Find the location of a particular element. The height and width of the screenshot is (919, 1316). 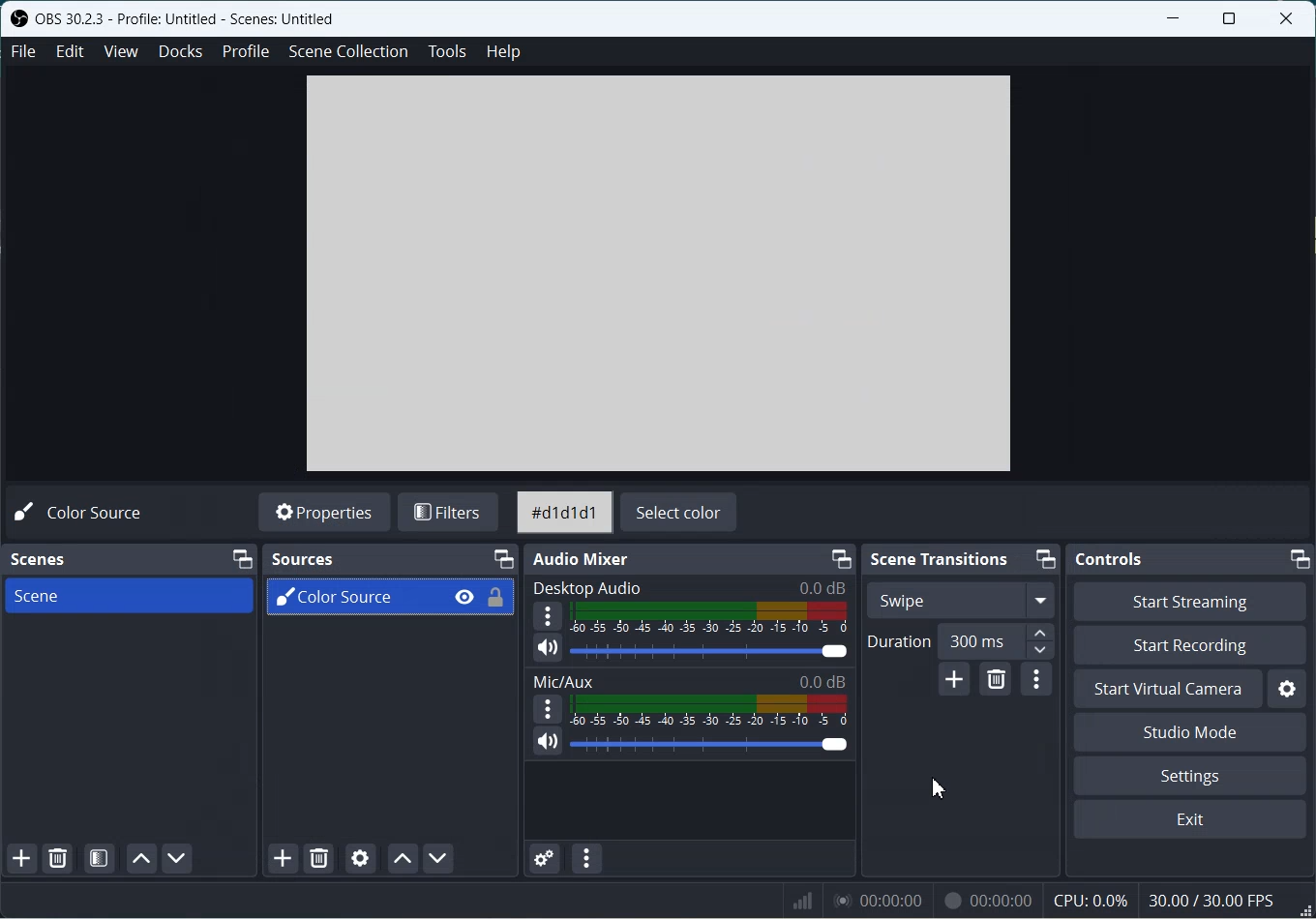

File is located at coordinates (20, 51).